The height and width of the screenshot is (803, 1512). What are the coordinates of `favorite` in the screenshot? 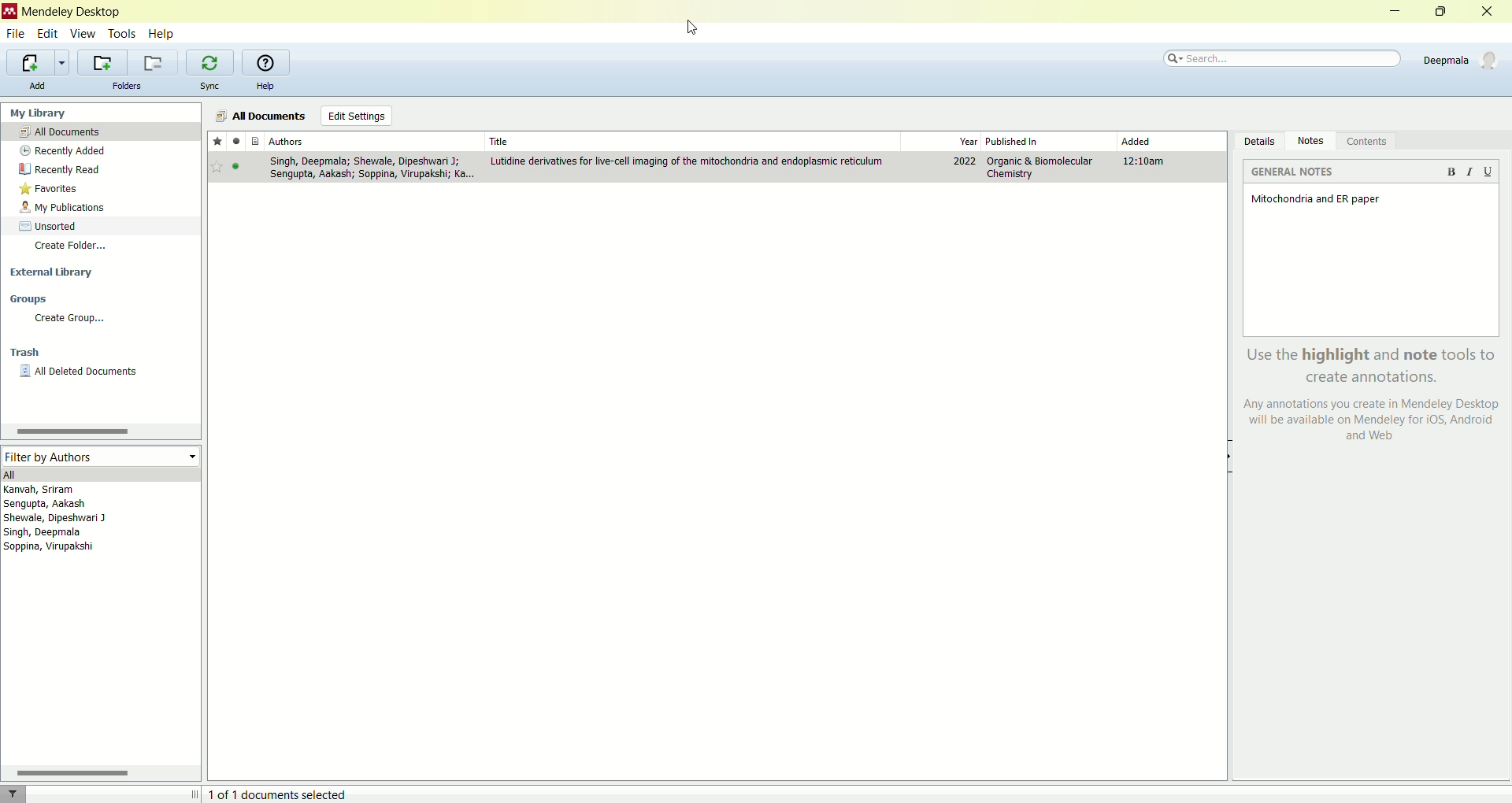 It's located at (217, 142).